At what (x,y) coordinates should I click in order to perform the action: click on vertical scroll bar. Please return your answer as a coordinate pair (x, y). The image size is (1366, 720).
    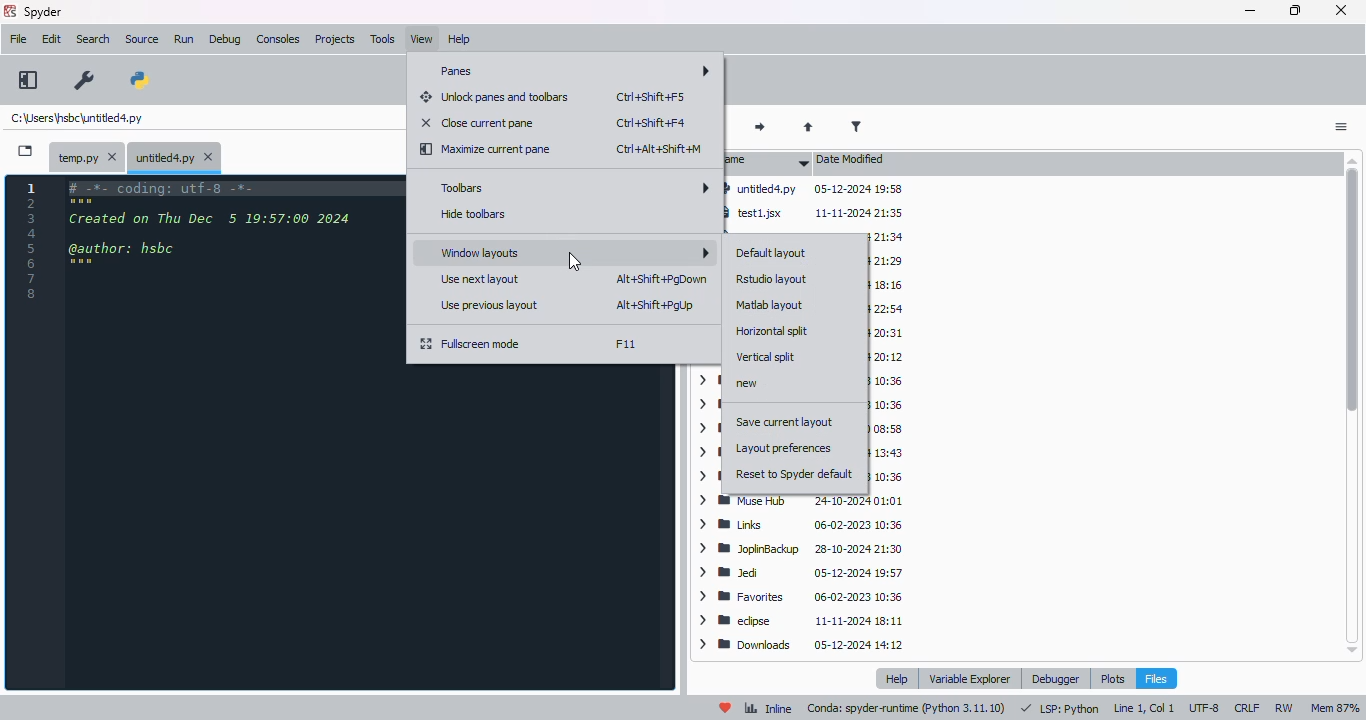
    Looking at the image, I should click on (1355, 404).